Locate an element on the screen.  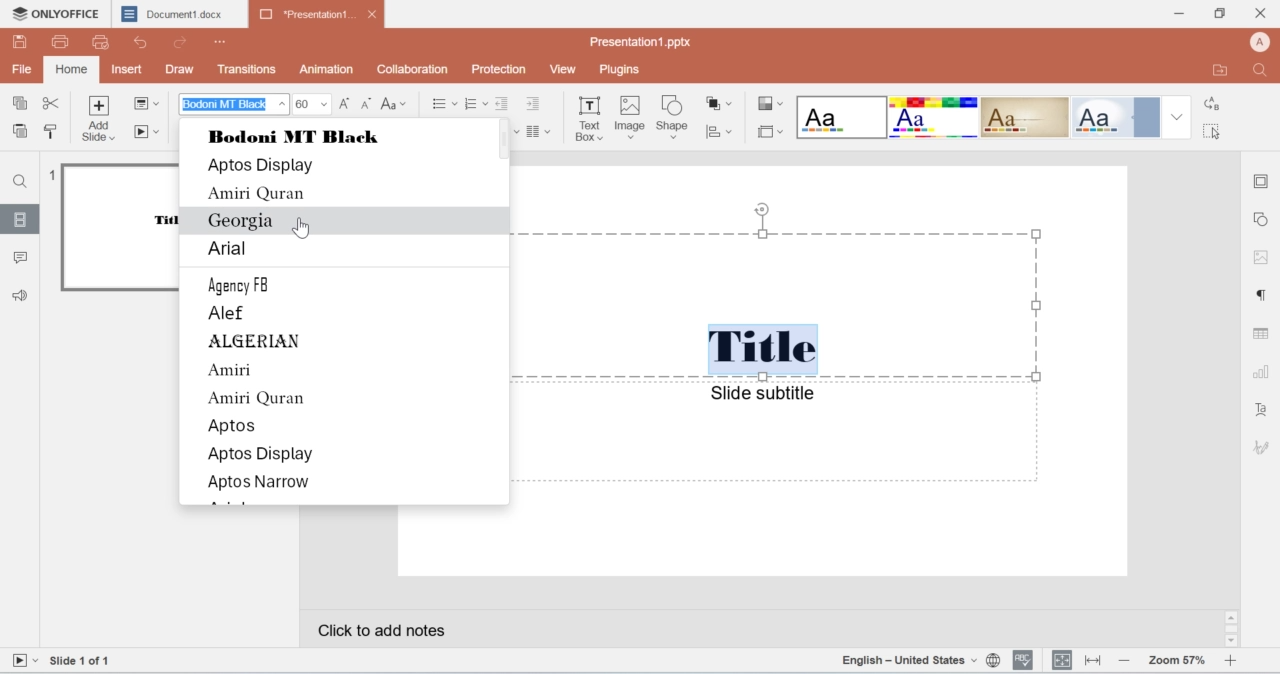
numbering is located at coordinates (51, 176).